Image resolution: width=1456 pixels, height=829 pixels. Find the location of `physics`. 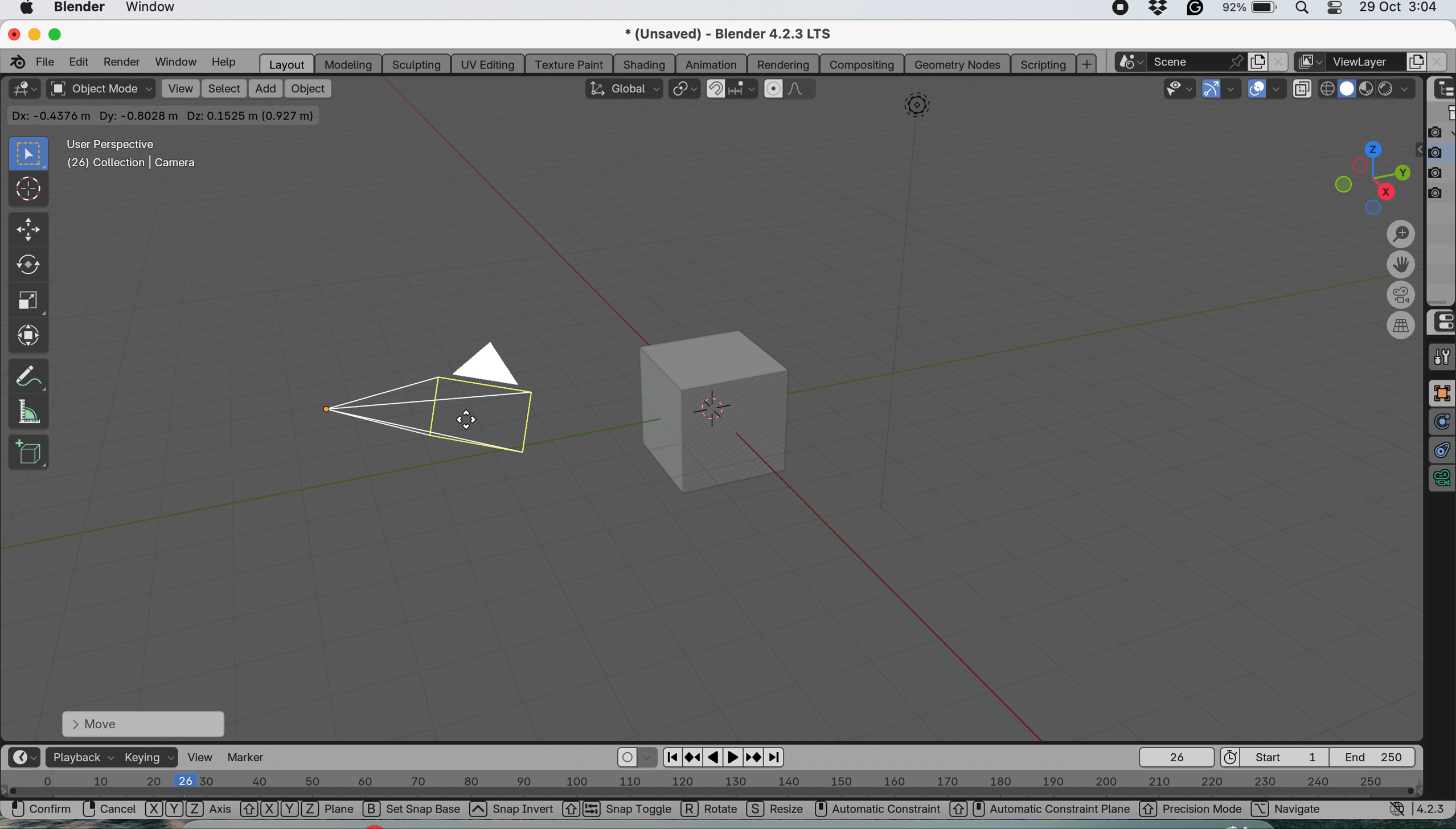

physics is located at coordinates (1441, 422).